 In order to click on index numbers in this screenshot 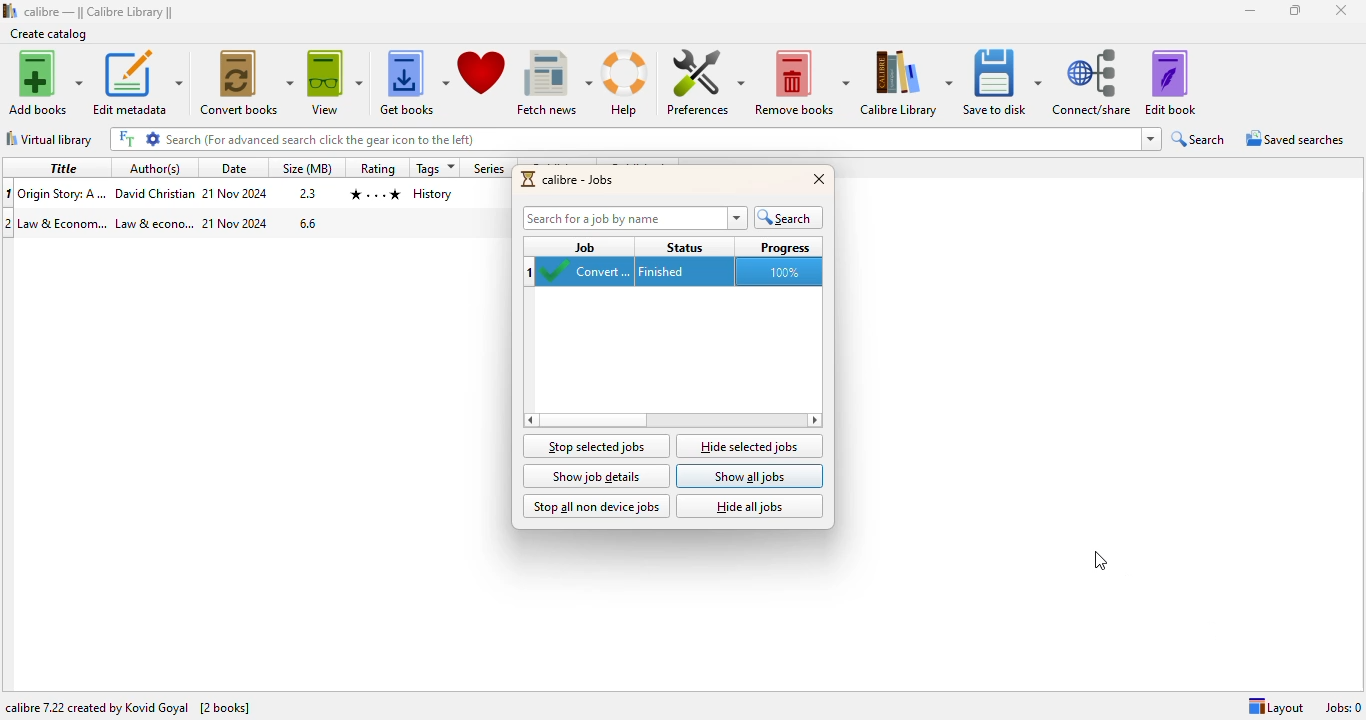, I will do `click(531, 271)`.